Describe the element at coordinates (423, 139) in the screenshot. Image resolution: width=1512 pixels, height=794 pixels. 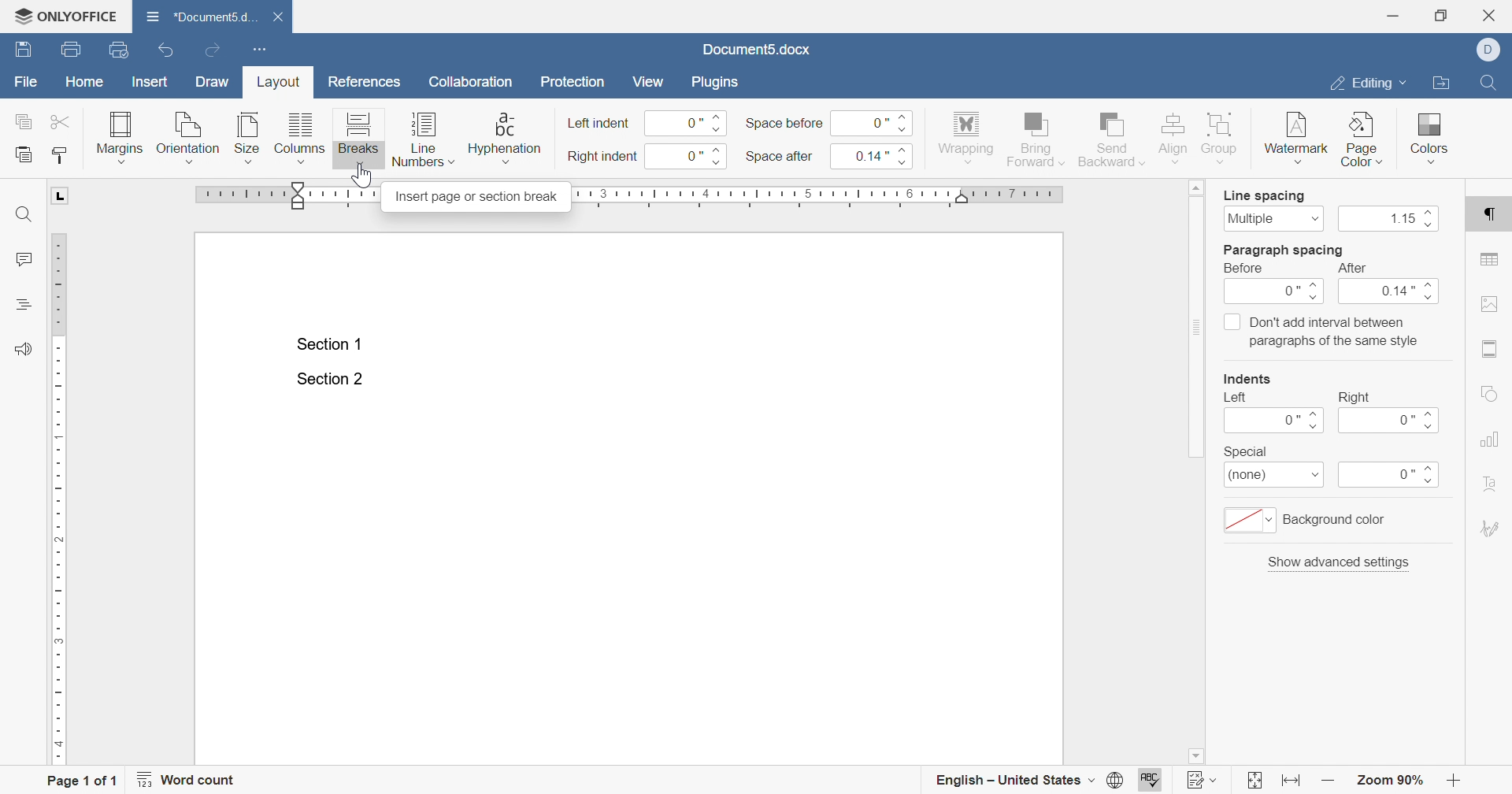
I see `line numbers` at that location.